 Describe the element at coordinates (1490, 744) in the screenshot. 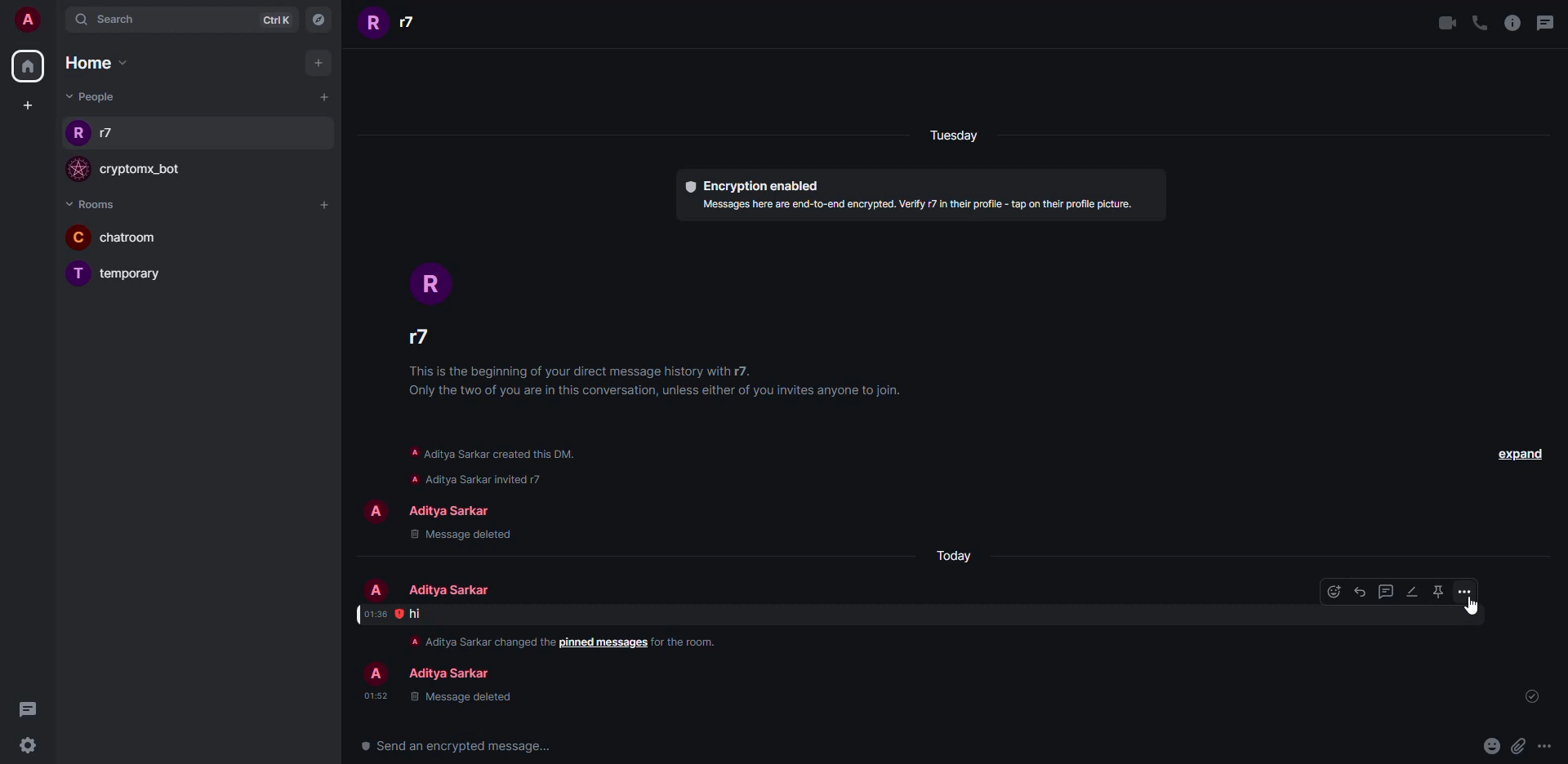

I see `emoji` at that location.